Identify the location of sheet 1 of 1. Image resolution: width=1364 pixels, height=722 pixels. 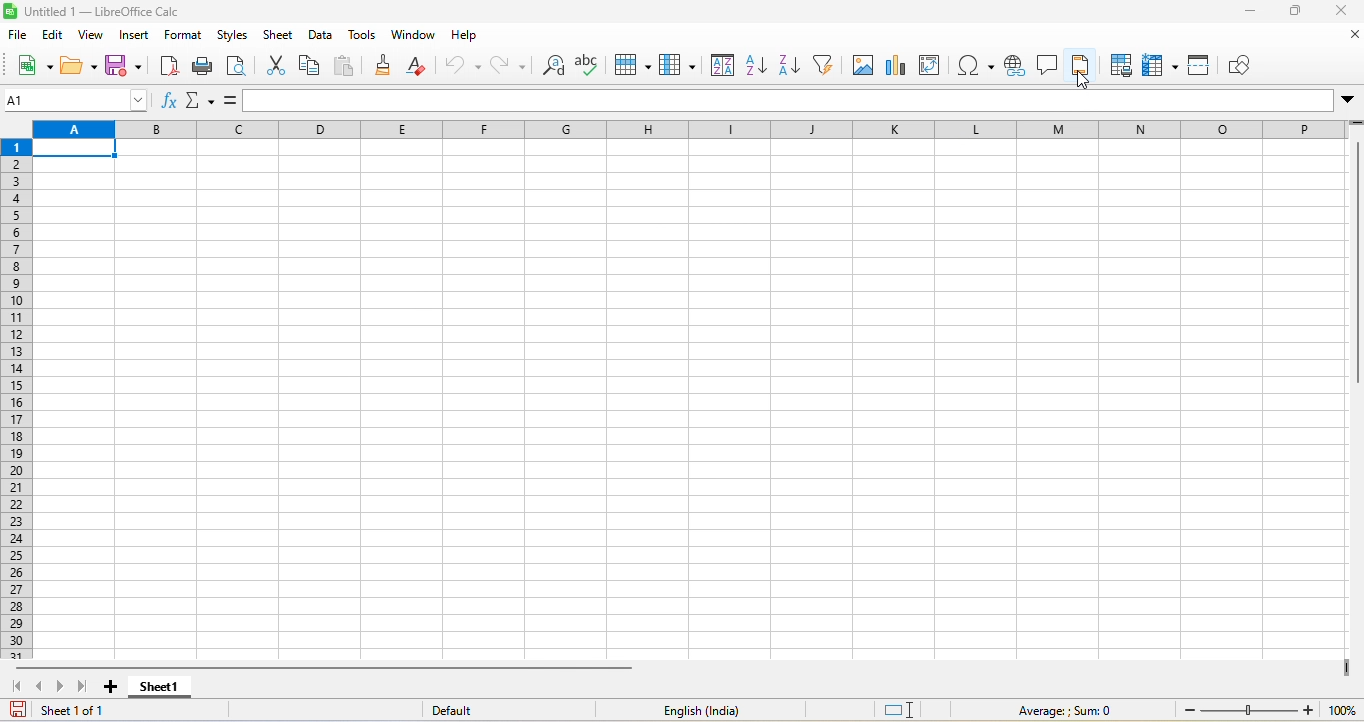
(68, 708).